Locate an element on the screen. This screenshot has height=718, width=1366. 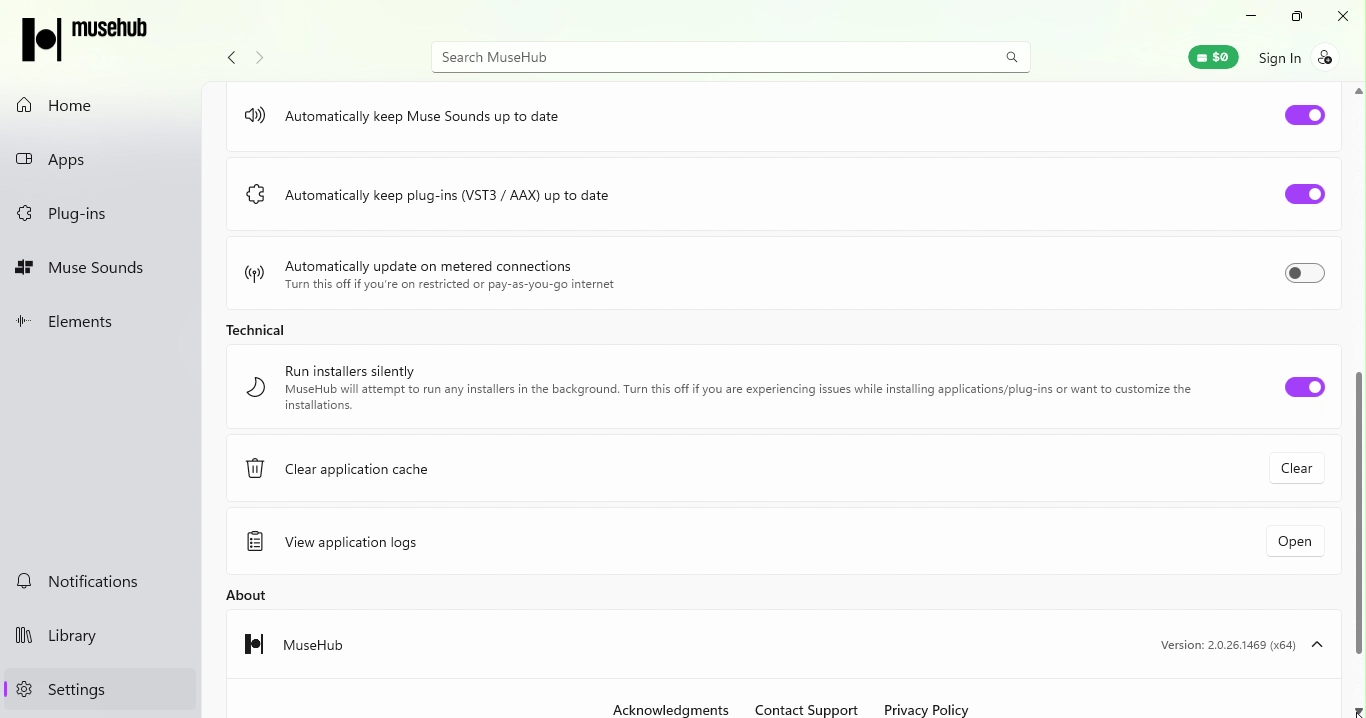
Minimize is located at coordinates (1250, 15).